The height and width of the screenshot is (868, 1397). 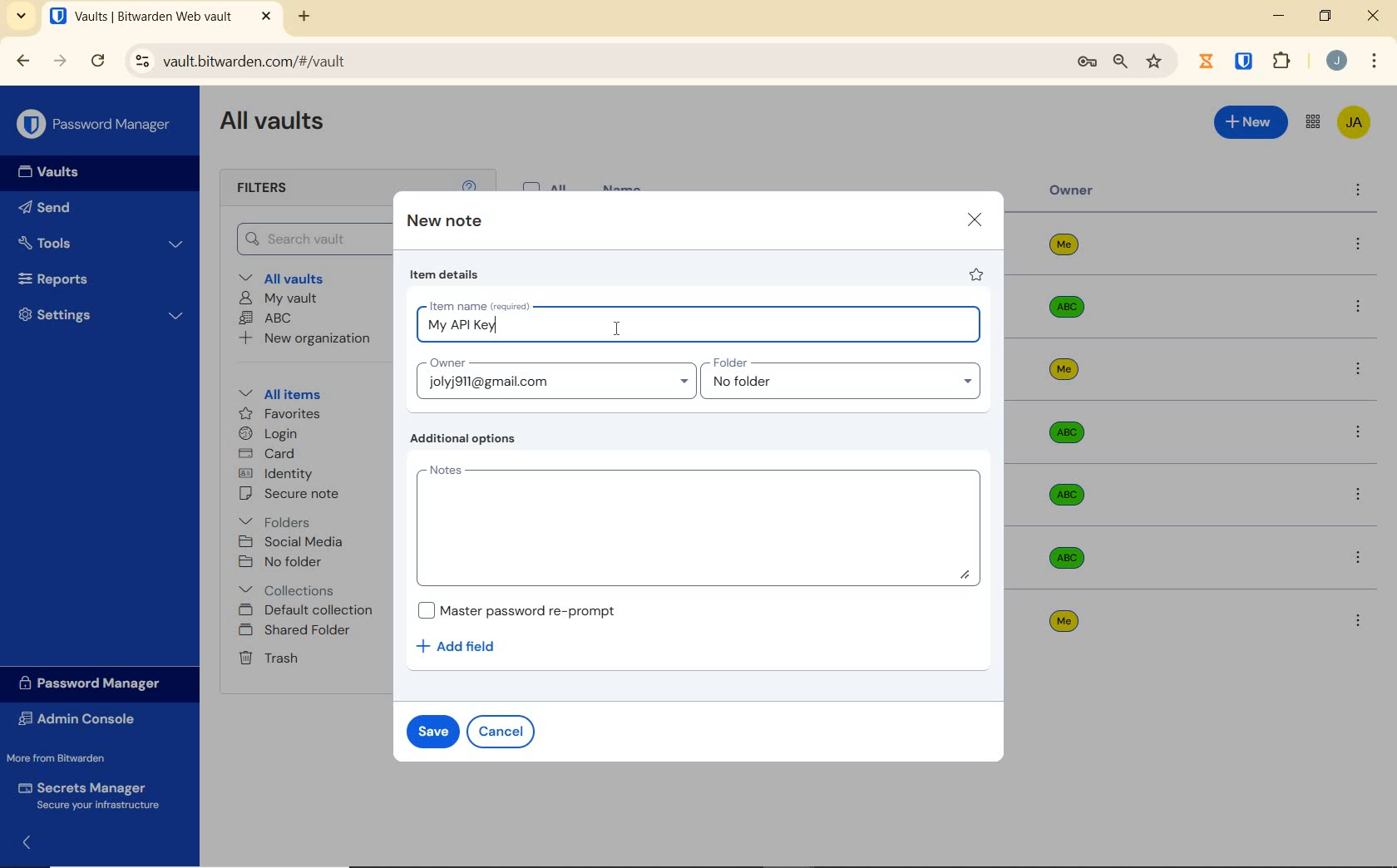 I want to click on more options, so click(x=1359, y=245).